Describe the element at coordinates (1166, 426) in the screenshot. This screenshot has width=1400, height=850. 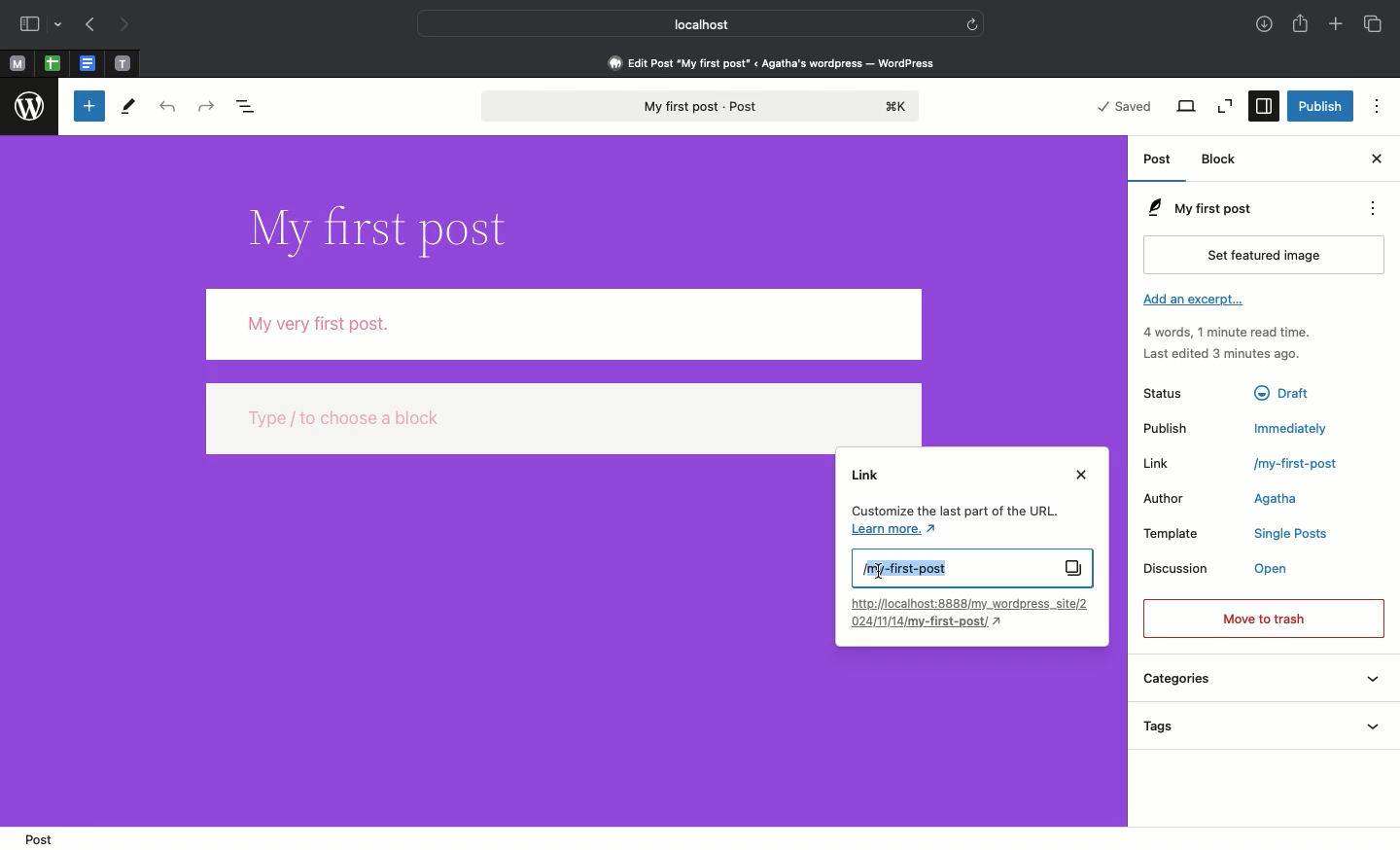
I see `Publish` at that location.